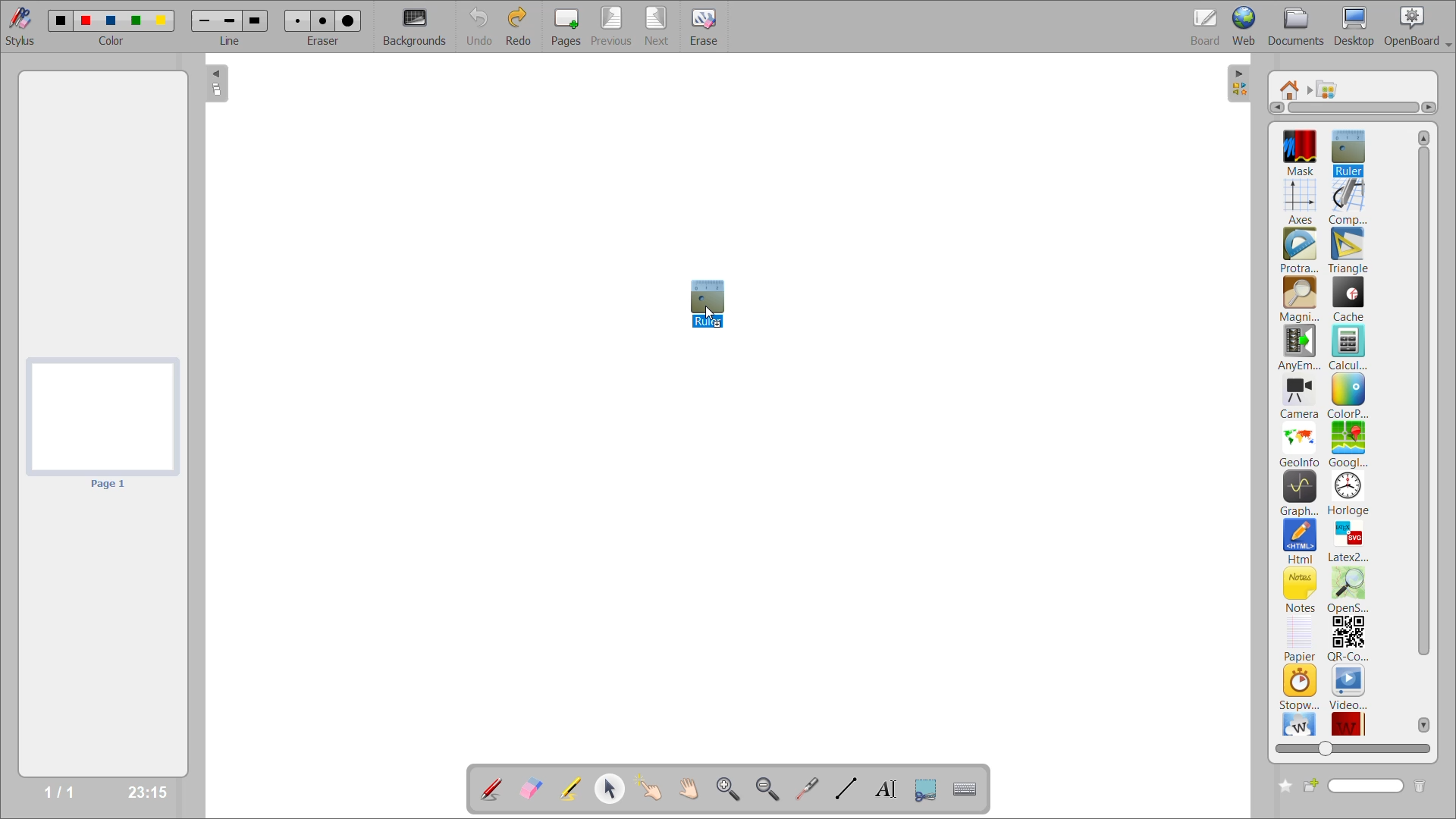 The height and width of the screenshot is (819, 1456). I want to click on scroll page, so click(689, 787).